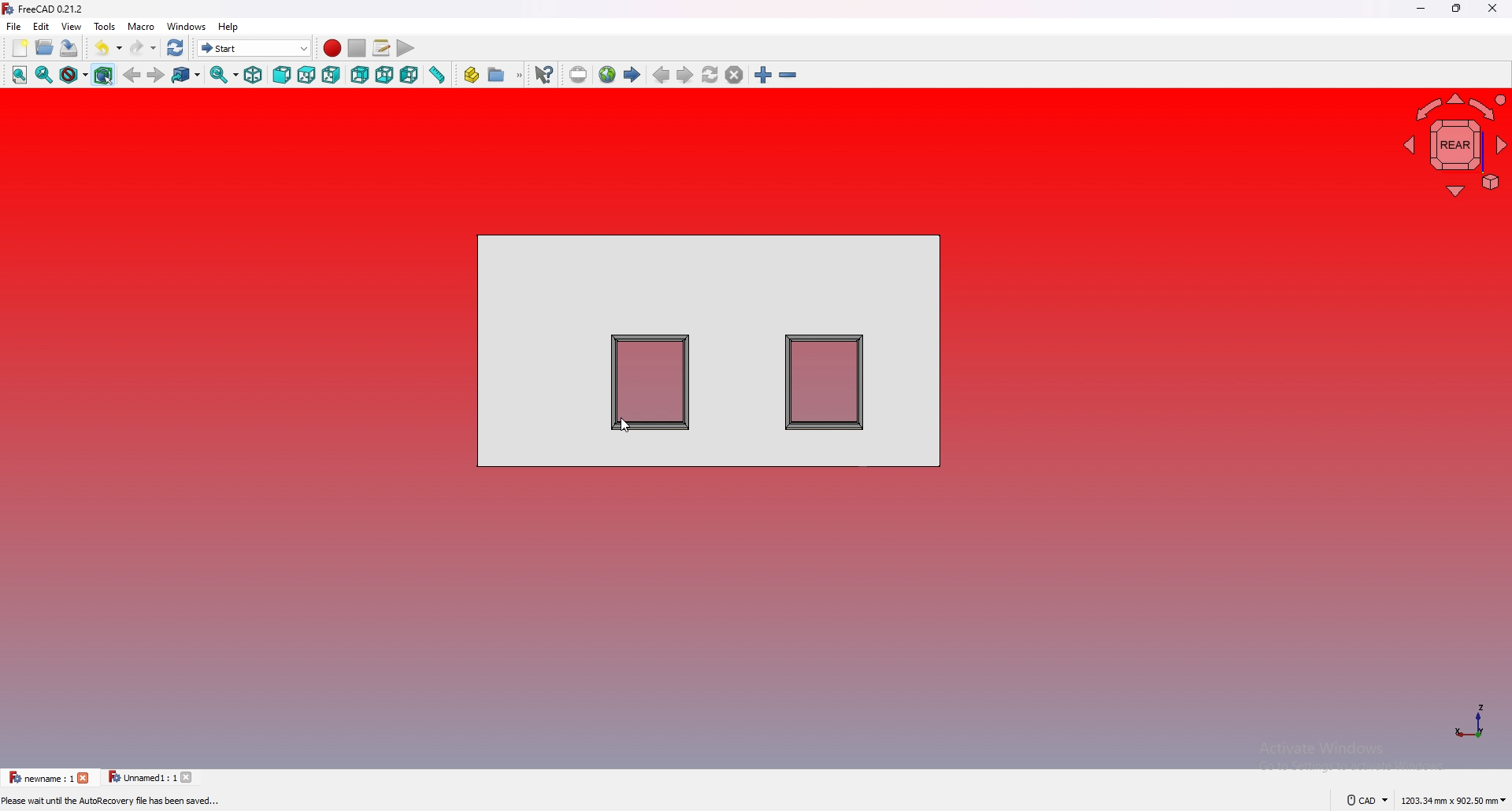  I want to click on forward, so click(156, 75).